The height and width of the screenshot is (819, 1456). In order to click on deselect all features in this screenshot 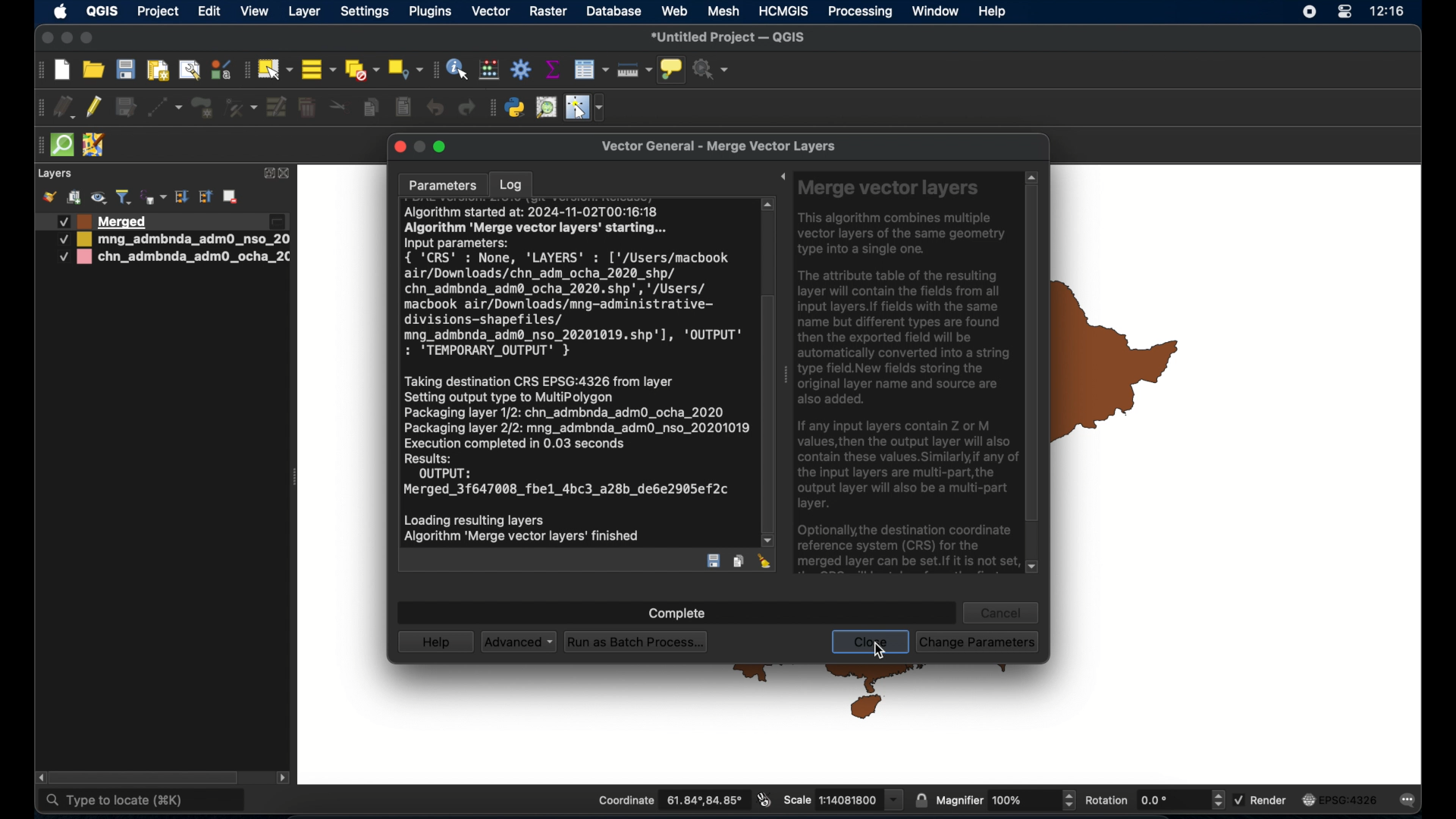, I will do `click(362, 71)`.